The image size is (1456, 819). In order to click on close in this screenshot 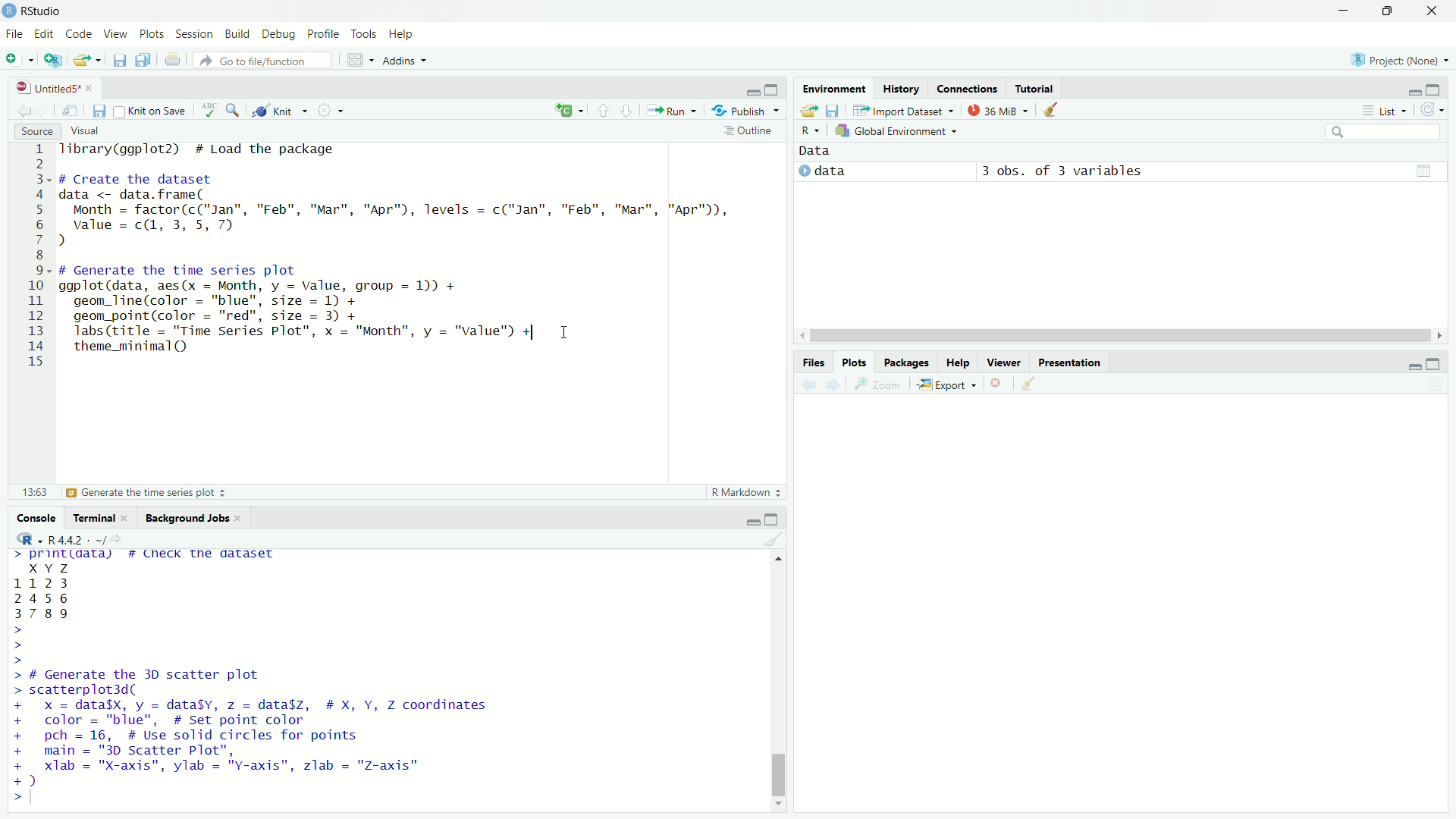, I will do `click(1433, 11)`.